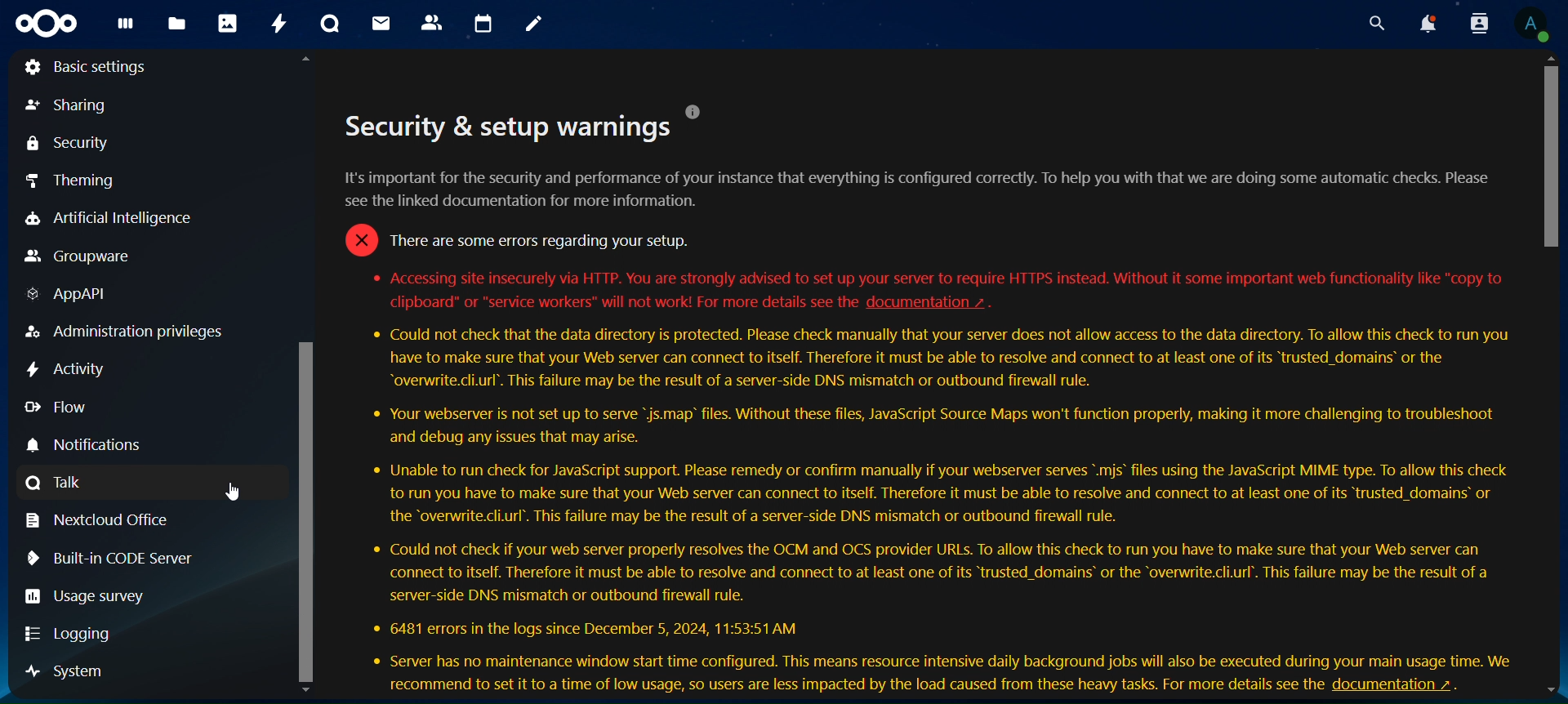  I want to click on notes, so click(536, 25).